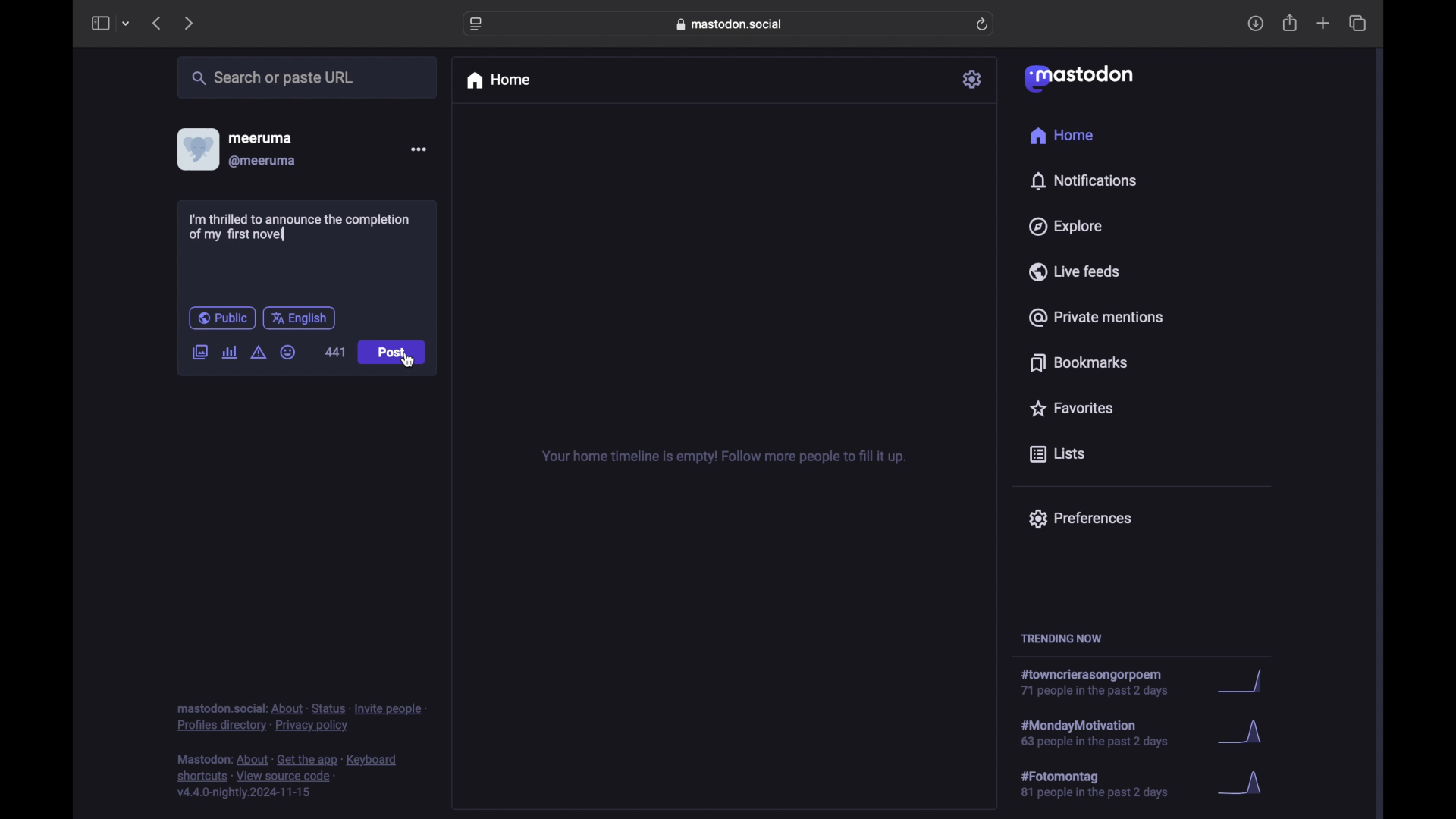 The image size is (1456, 819). What do you see at coordinates (973, 79) in the screenshot?
I see `settings` at bounding box center [973, 79].